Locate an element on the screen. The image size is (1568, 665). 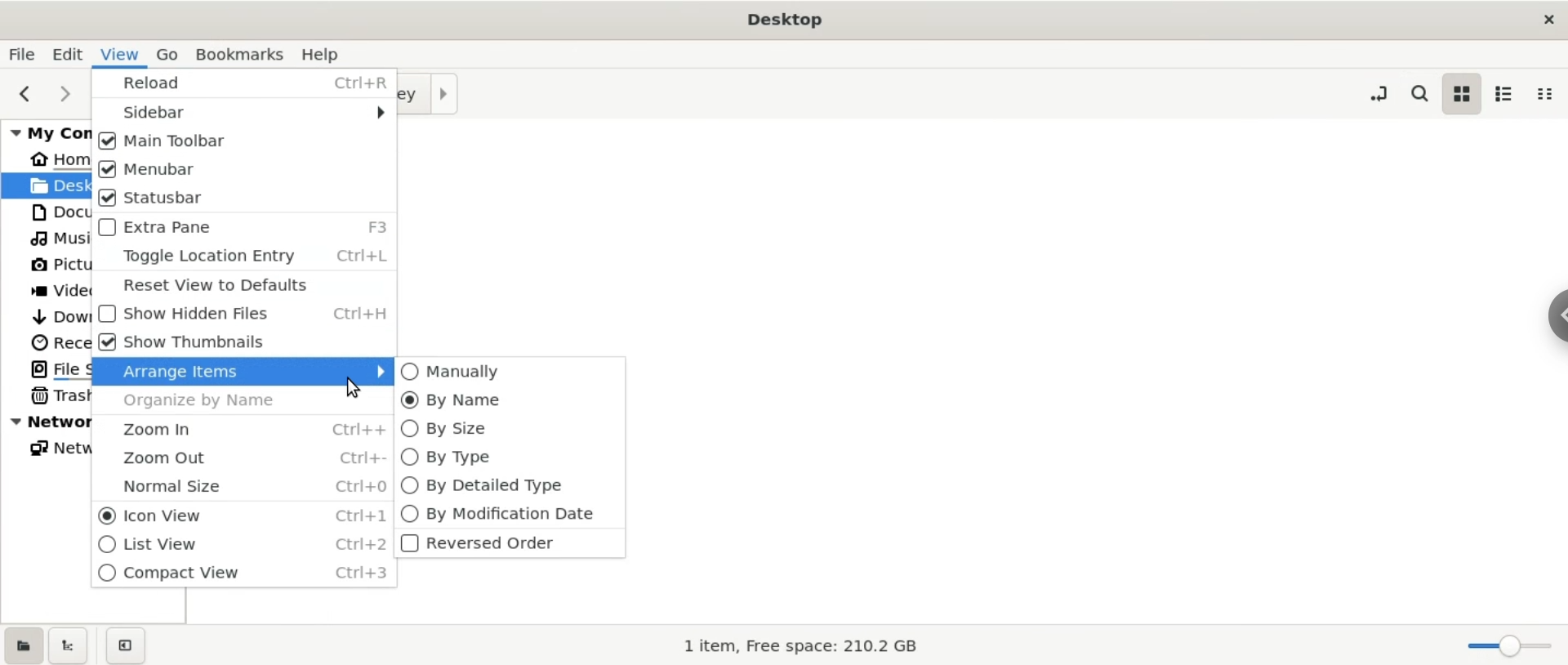
1 item, Free Space: 210.2 GB is located at coordinates (819, 644).